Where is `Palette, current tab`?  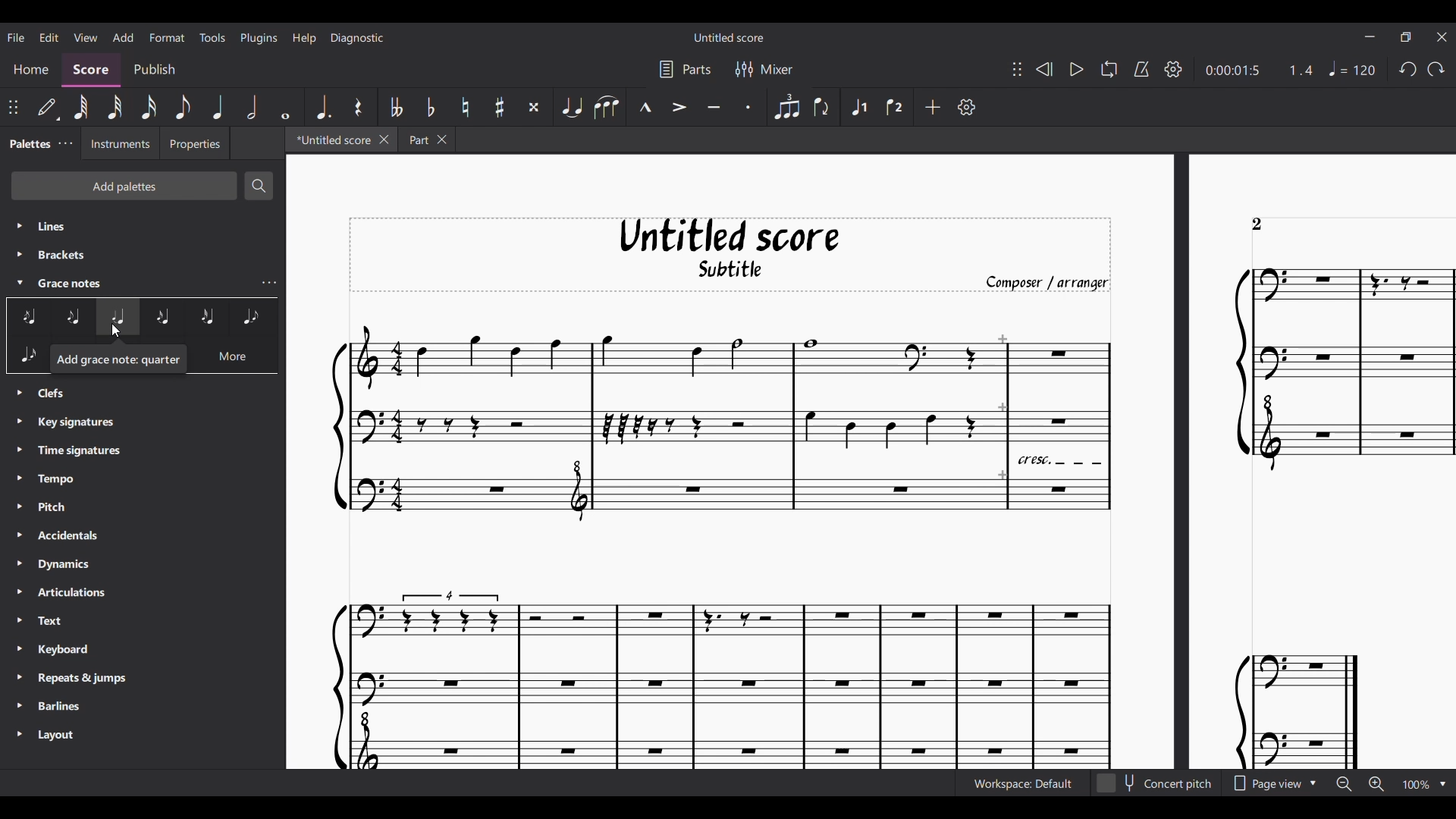
Palette, current tab is located at coordinates (28, 143).